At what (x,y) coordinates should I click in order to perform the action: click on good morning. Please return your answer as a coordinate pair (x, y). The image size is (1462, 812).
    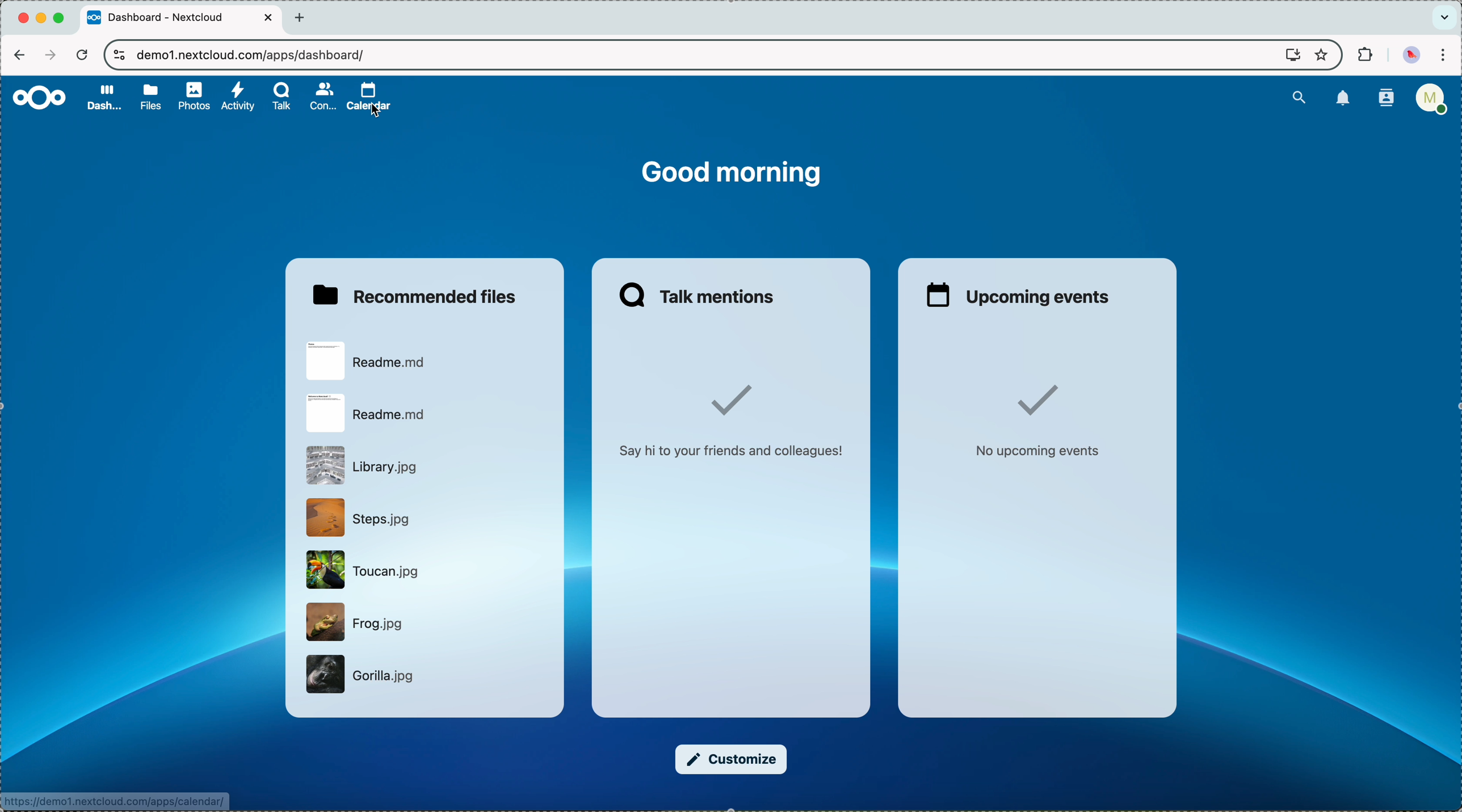
    Looking at the image, I should click on (732, 173).